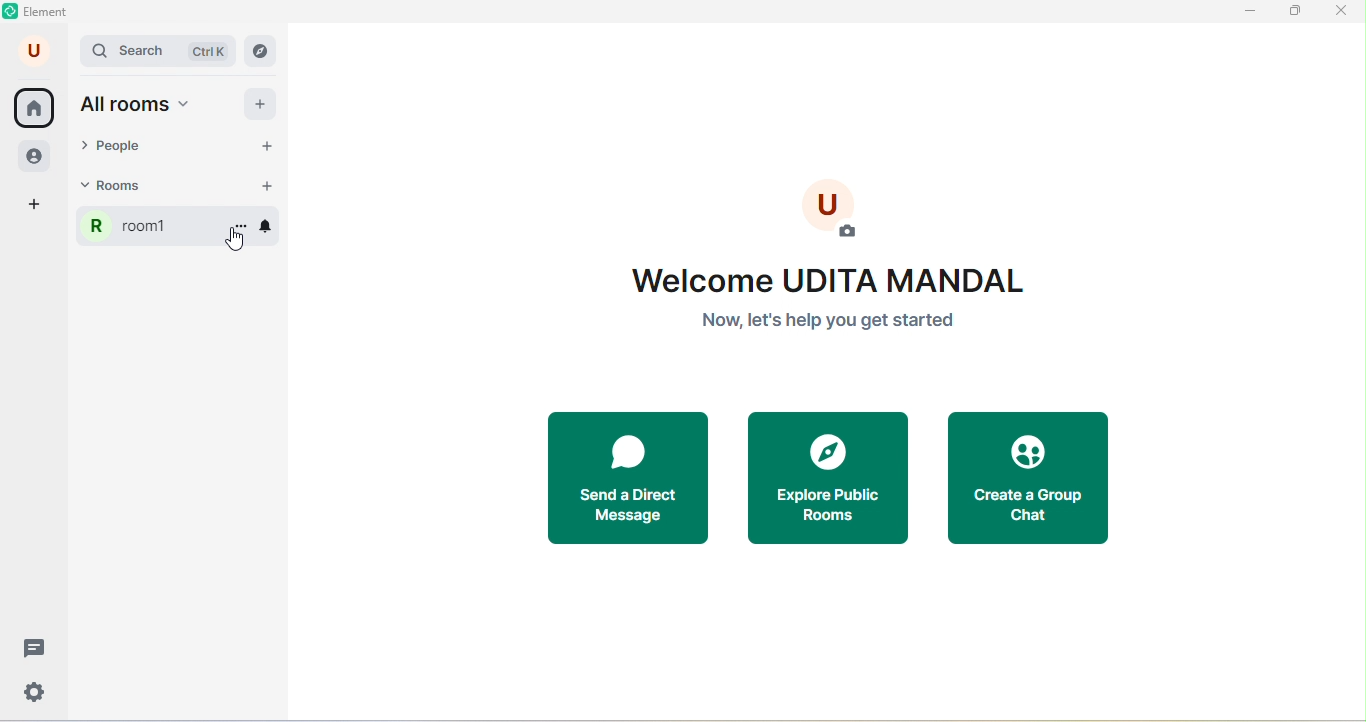 The image size is (1366, 722). I want to click on people, so click(117, 147).